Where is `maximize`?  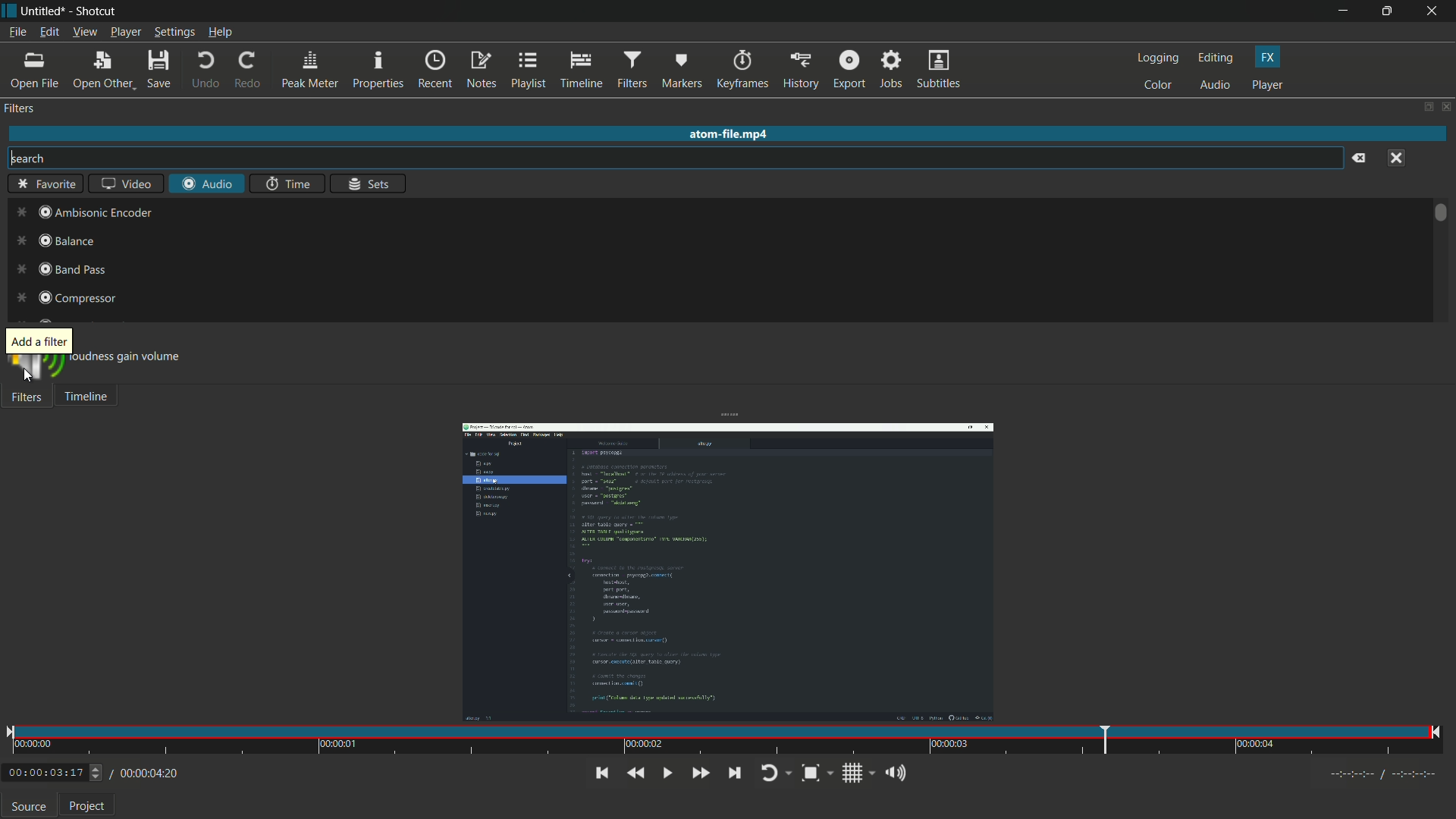
maximize is located at coordinates (1387, 11).